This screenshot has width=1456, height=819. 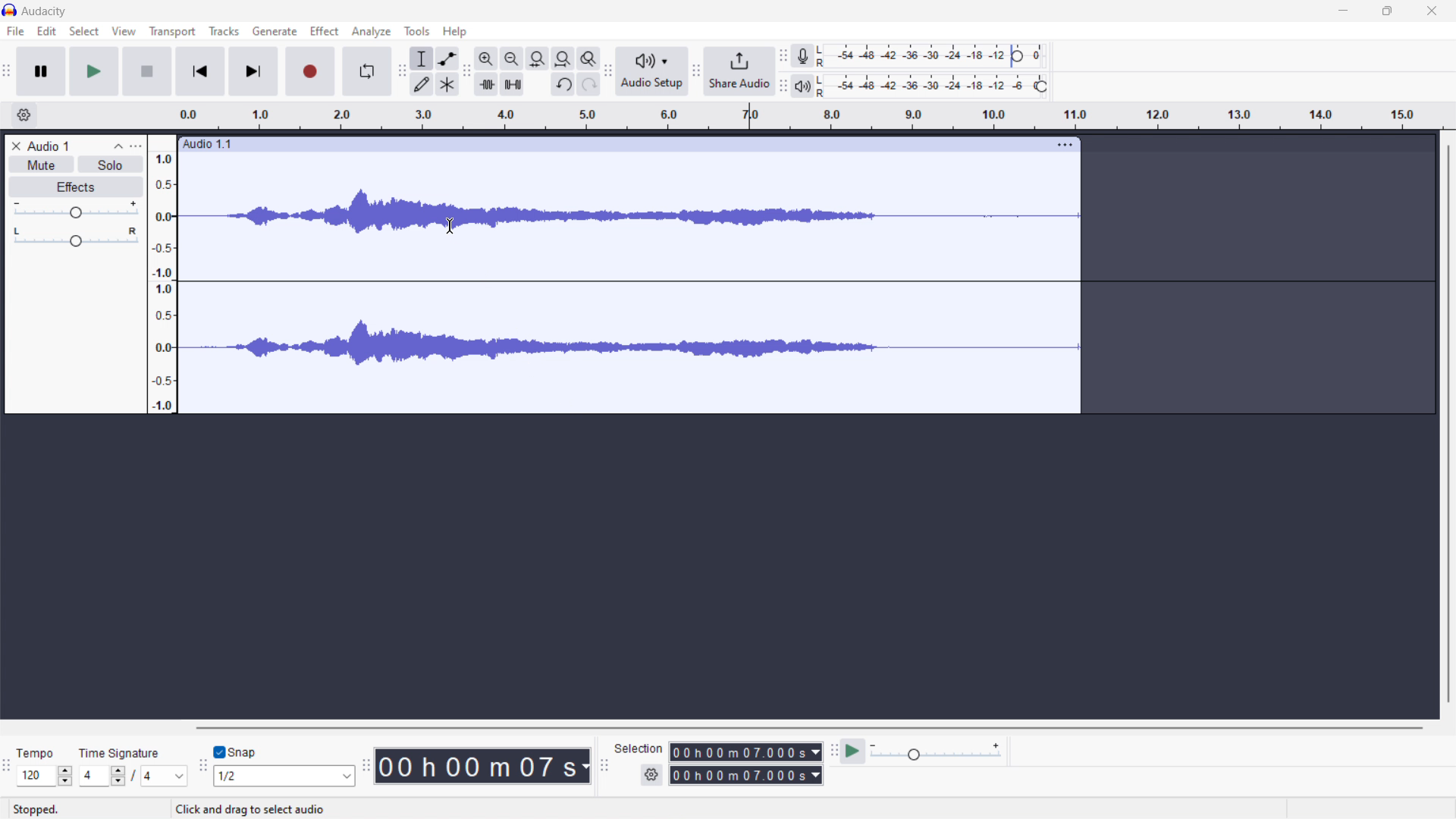 What do you see at coordinates (95, 71) in the screenshot?
I see `play` at bounding box center [95, 71].